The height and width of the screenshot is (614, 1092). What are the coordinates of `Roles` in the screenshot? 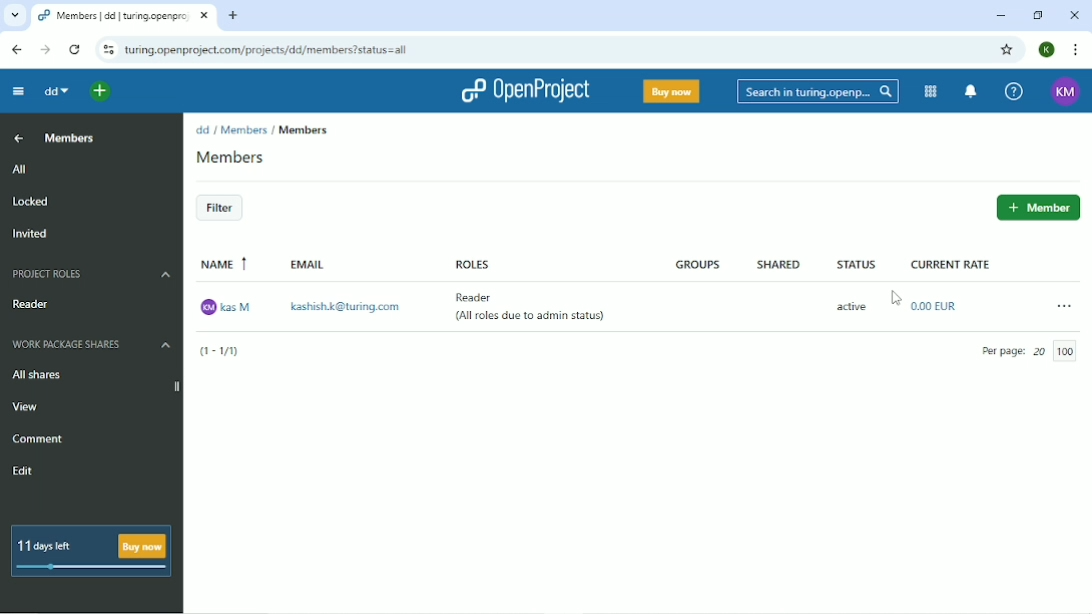 It's located at (468, 260).